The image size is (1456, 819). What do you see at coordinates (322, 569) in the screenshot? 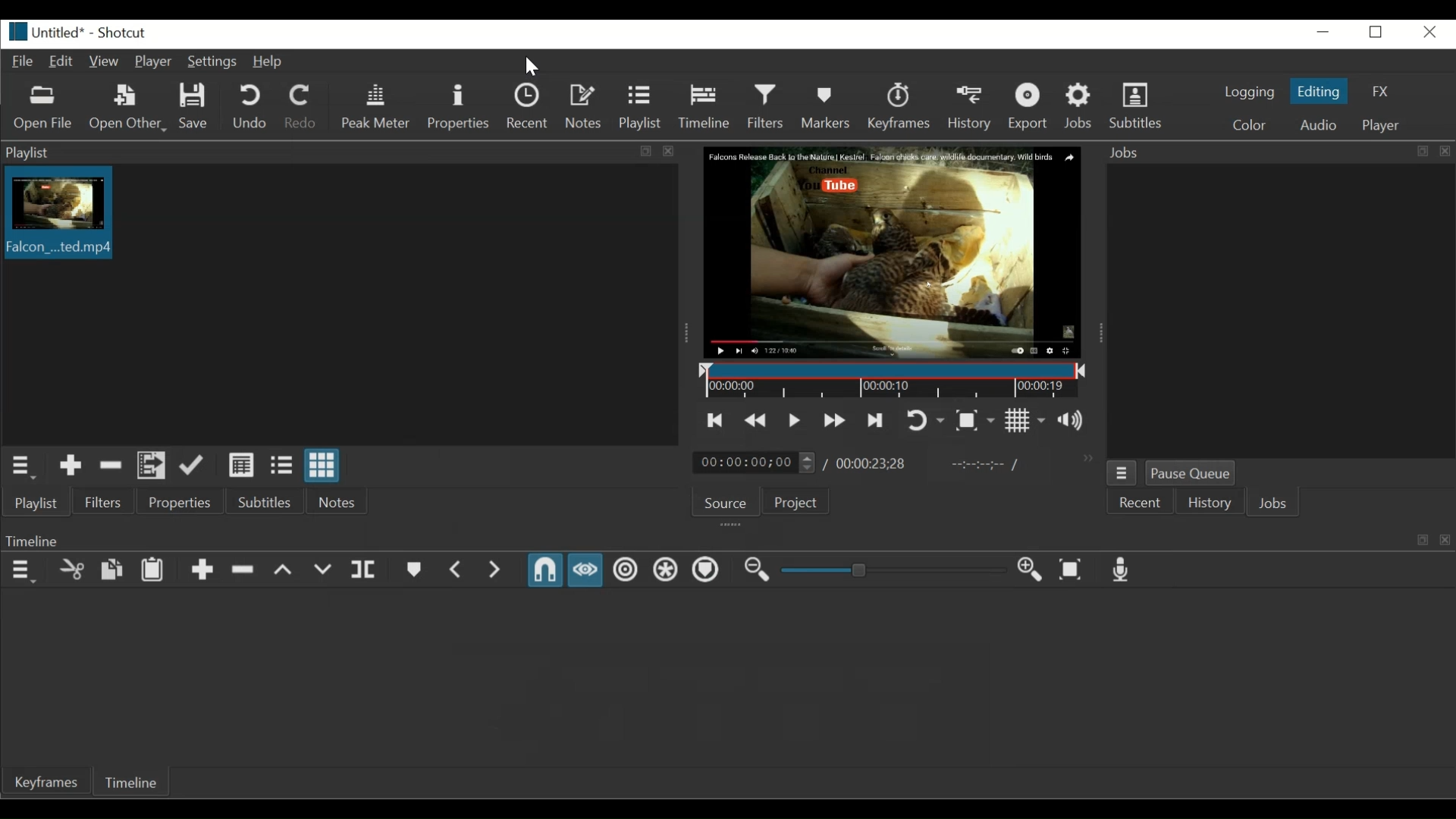
I see `Overwrite` at bounding box center [322, 569].